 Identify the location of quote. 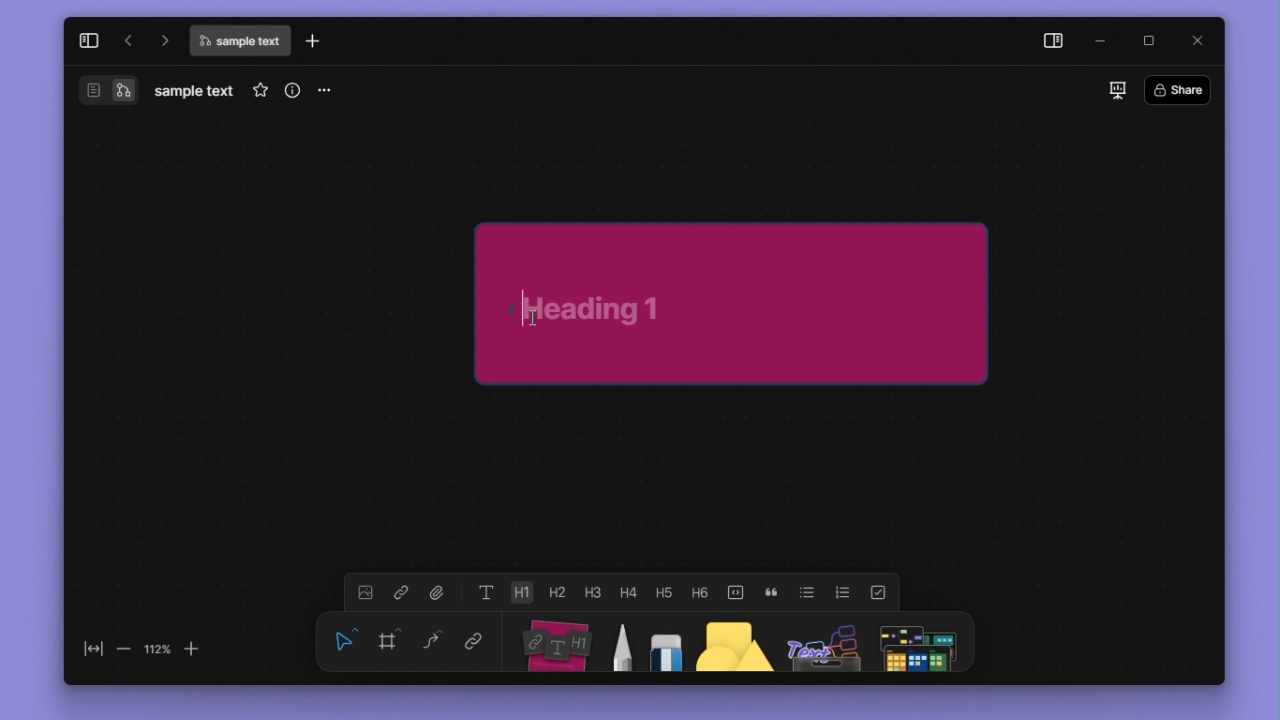
(771, 593).